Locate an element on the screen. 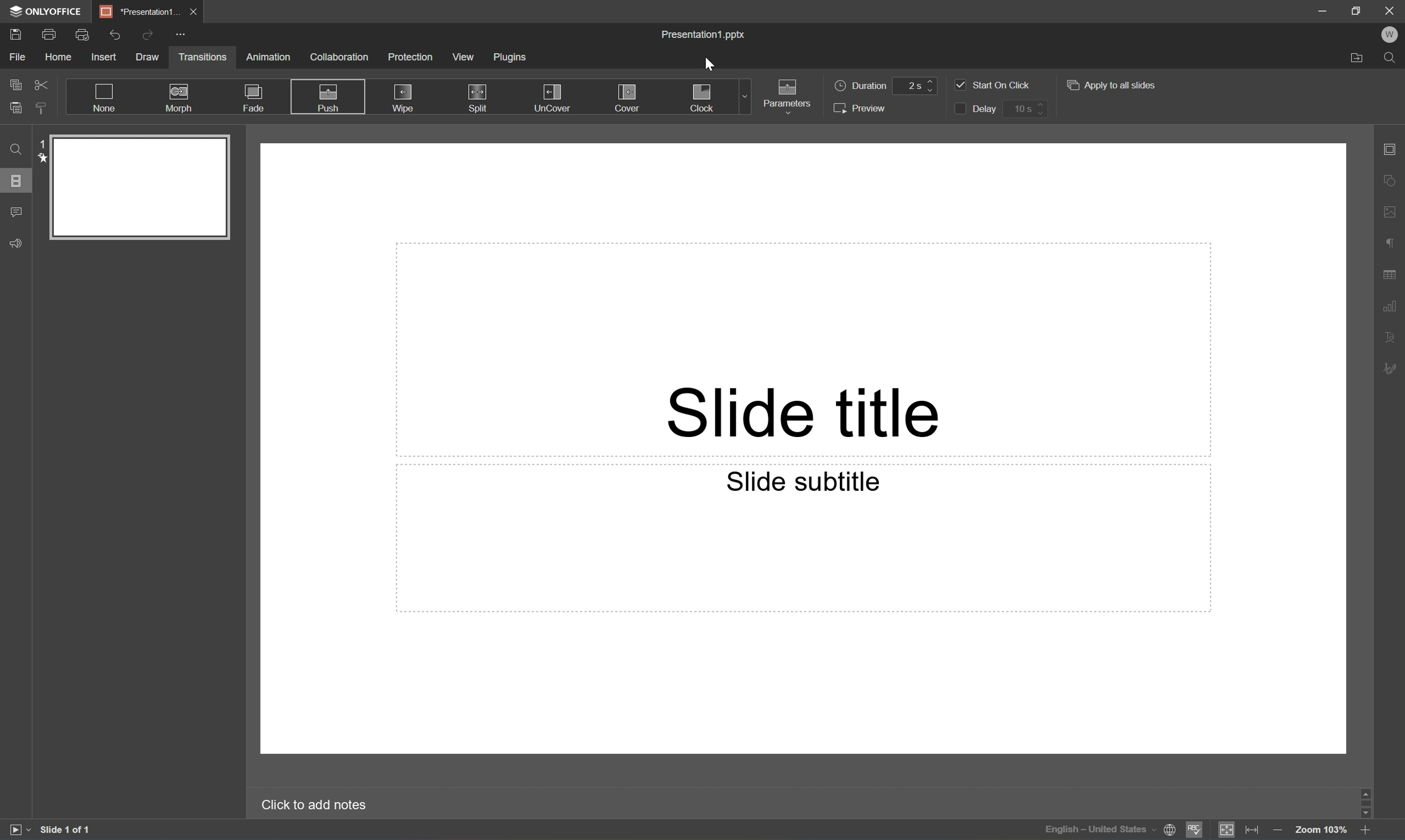 The width and height of the screenshot is (1405, 840). Slide title is located at coordinates (804, 412).